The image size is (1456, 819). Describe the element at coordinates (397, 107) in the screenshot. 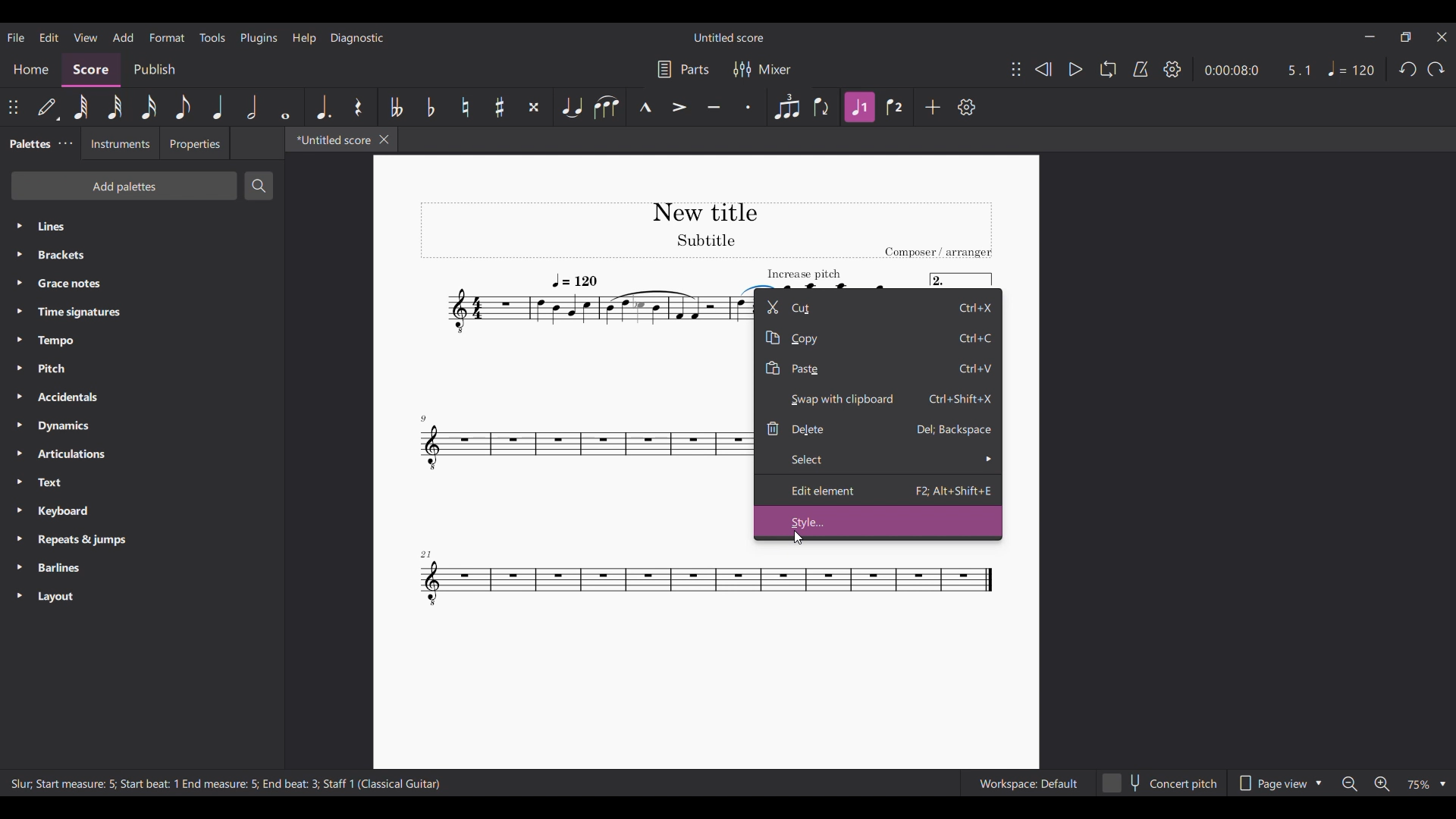

I see `Toggle double flat` at that location.